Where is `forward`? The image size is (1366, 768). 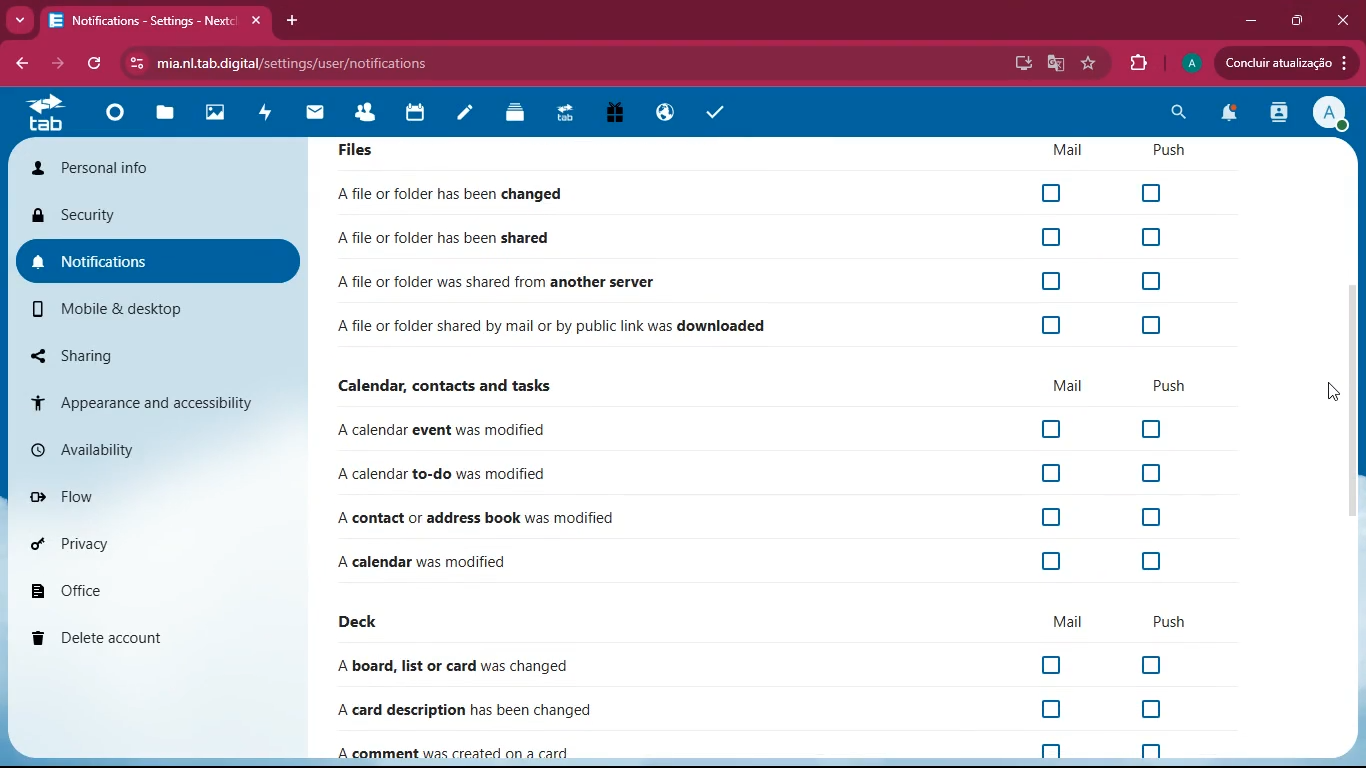
forward is located at coordinates (55, 62).